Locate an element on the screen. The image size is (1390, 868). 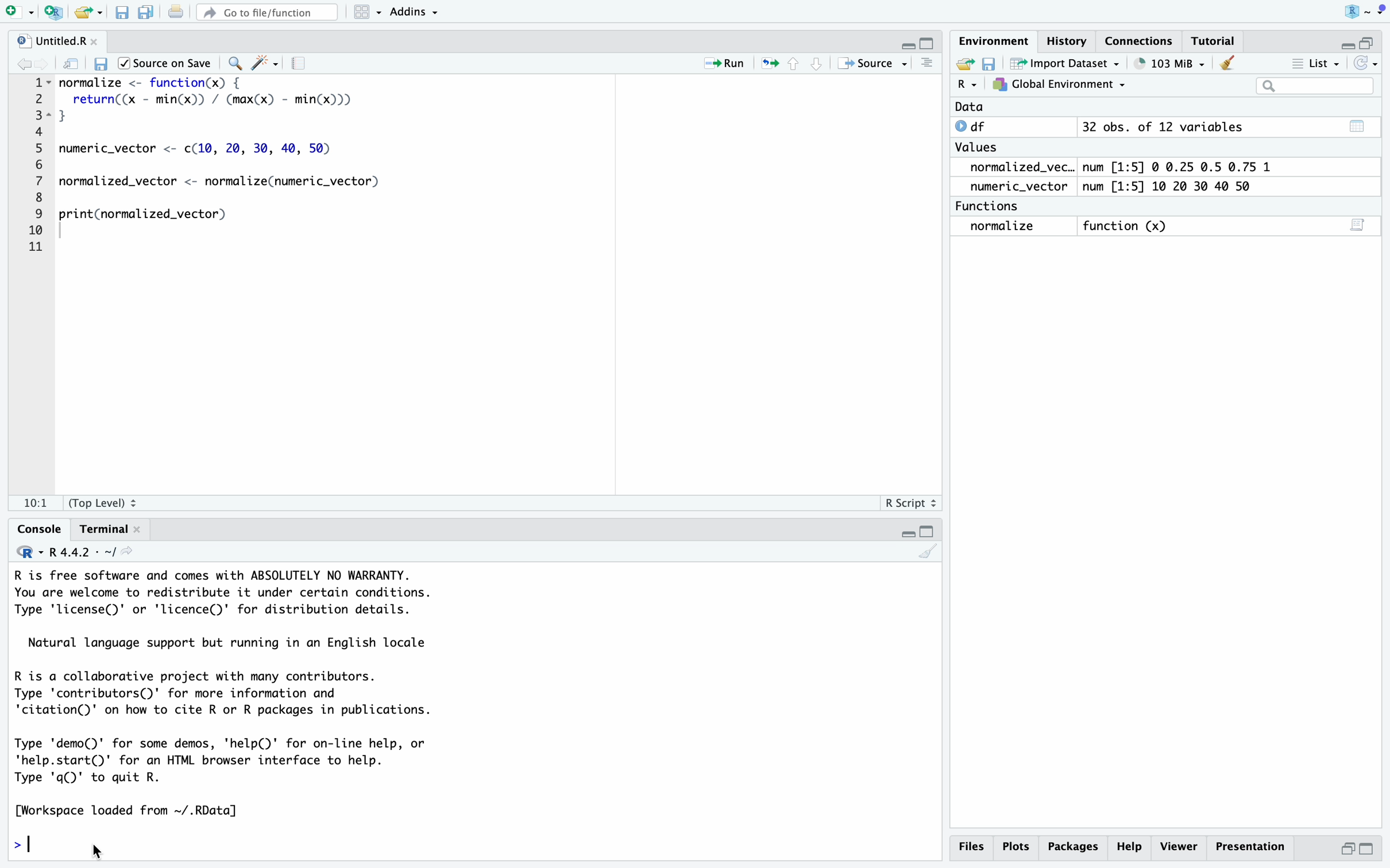
Maximize is located at coordinates (929, 44).